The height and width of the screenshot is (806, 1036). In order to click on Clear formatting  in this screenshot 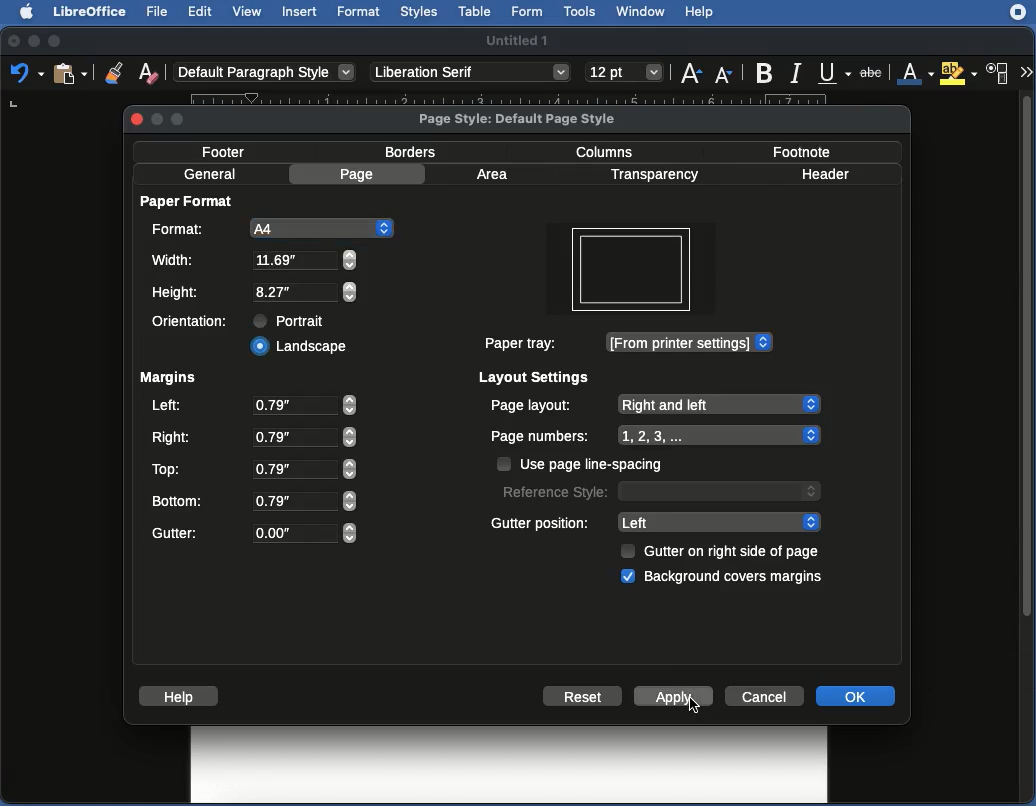, I will do `click(148, 75)`.